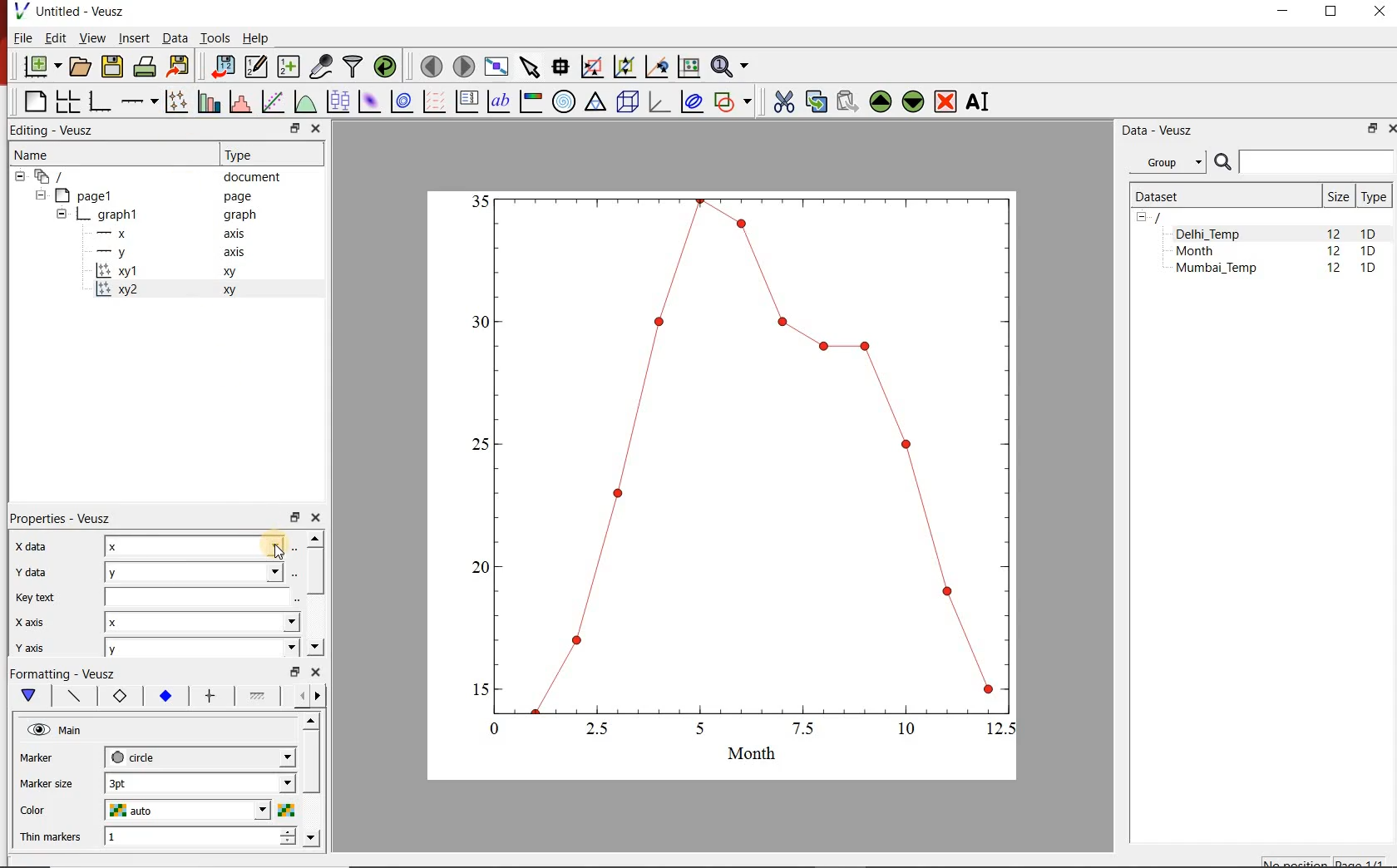  What do you see at coordinates (741, 474) in the screenshot?
I see `graph1` at bounding box center [741, 474].